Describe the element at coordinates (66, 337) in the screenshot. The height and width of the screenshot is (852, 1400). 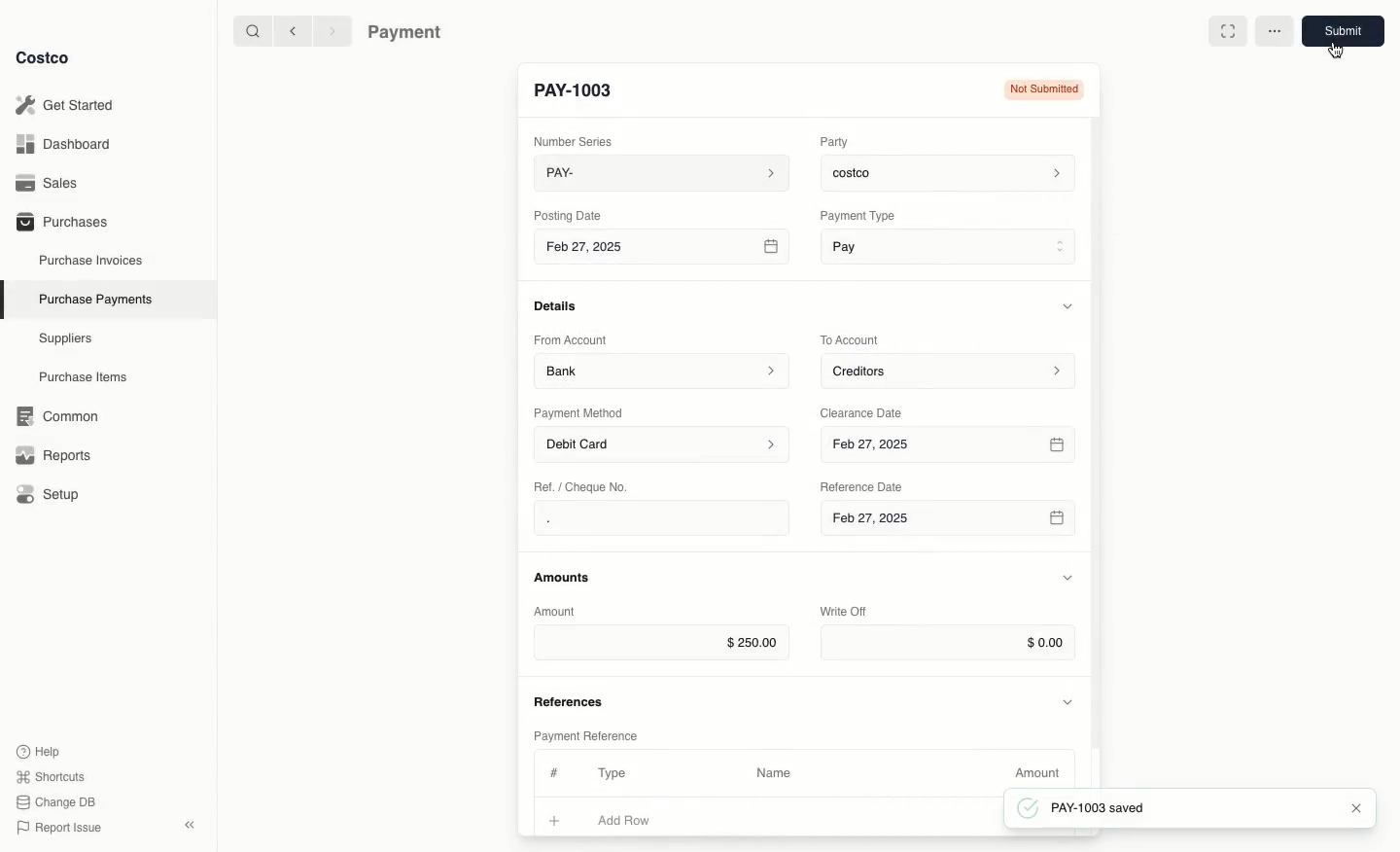
I see `Suppliers` at that location.